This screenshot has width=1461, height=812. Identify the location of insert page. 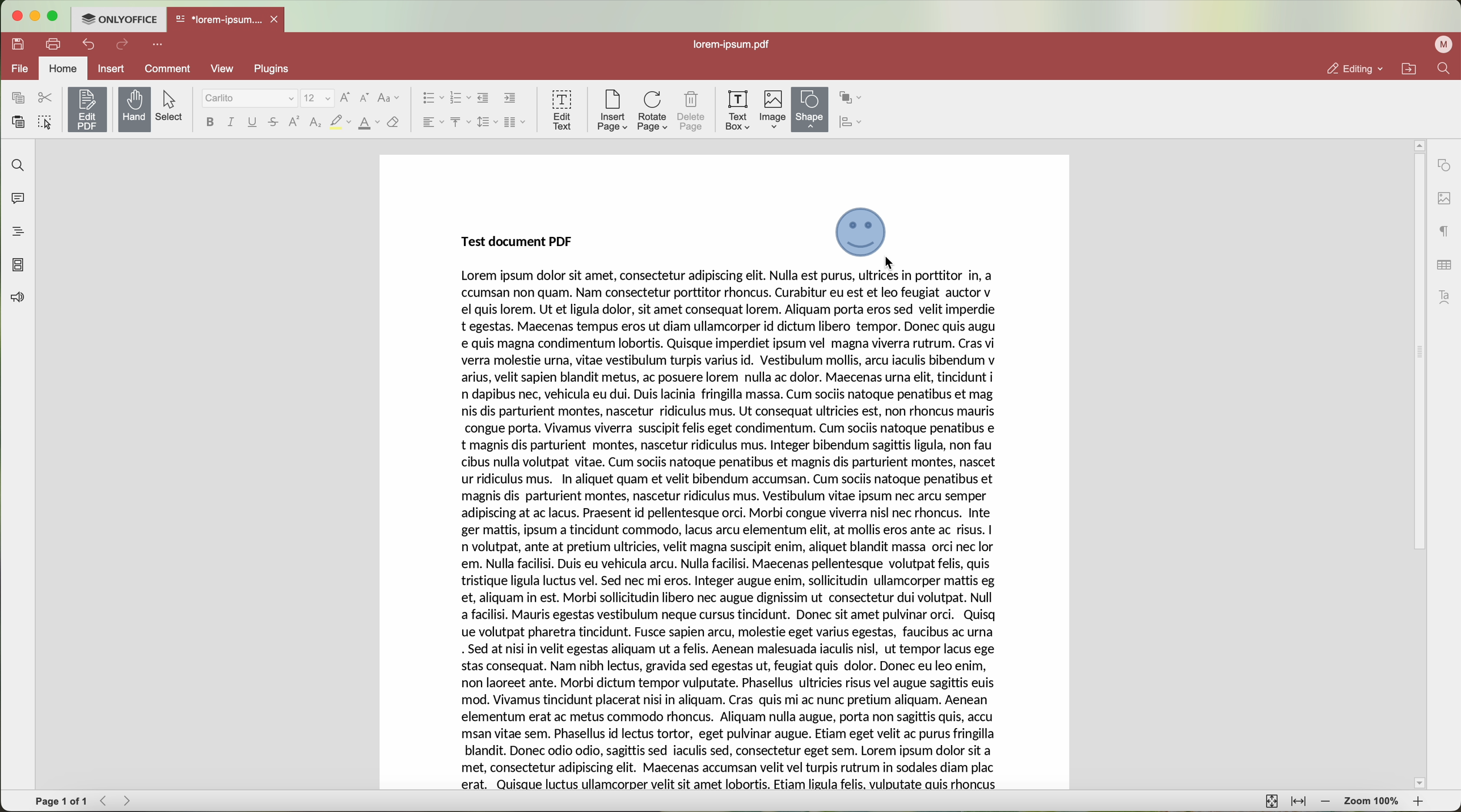
(610, 111).